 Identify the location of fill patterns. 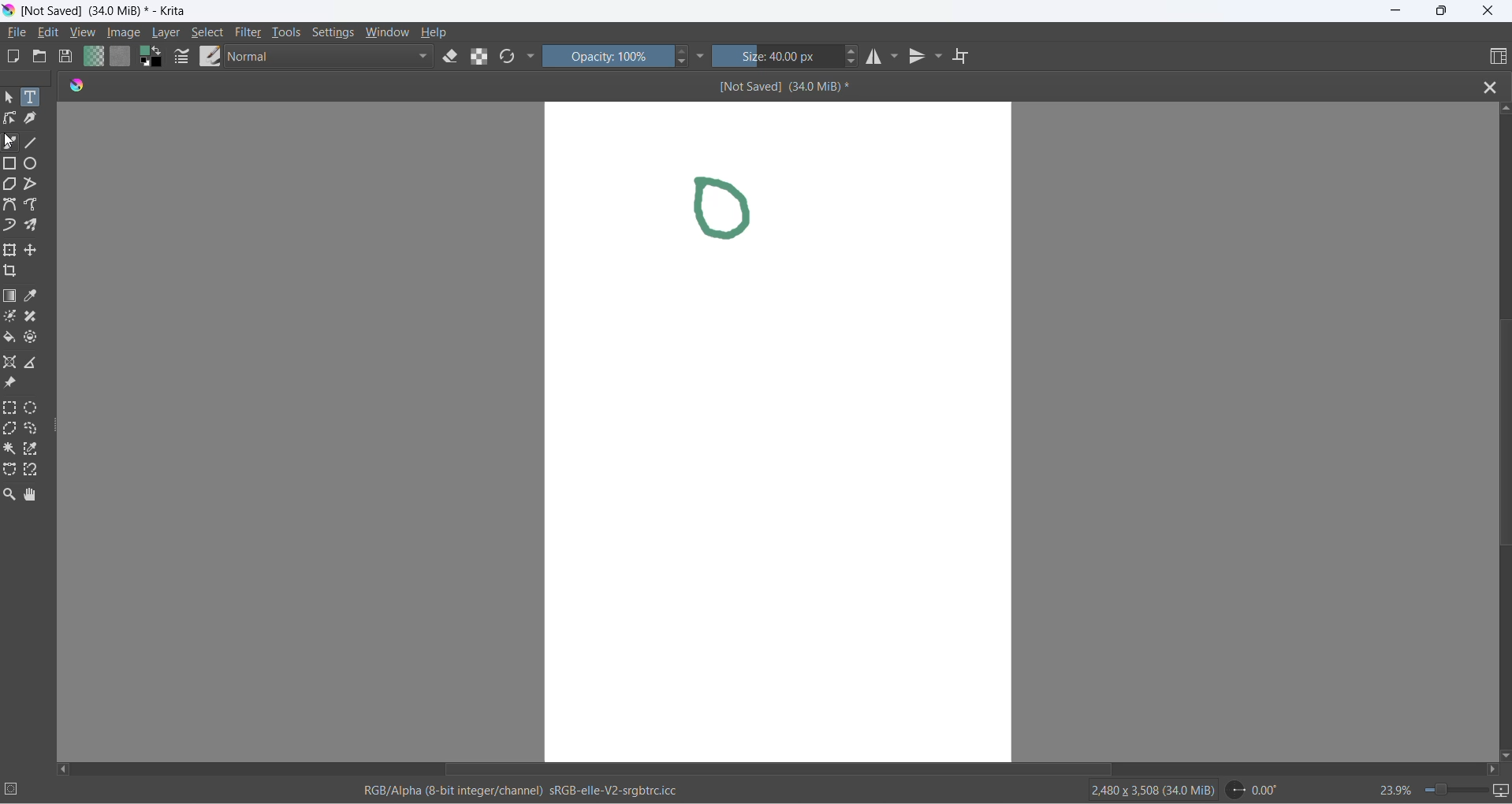
(122, 56).